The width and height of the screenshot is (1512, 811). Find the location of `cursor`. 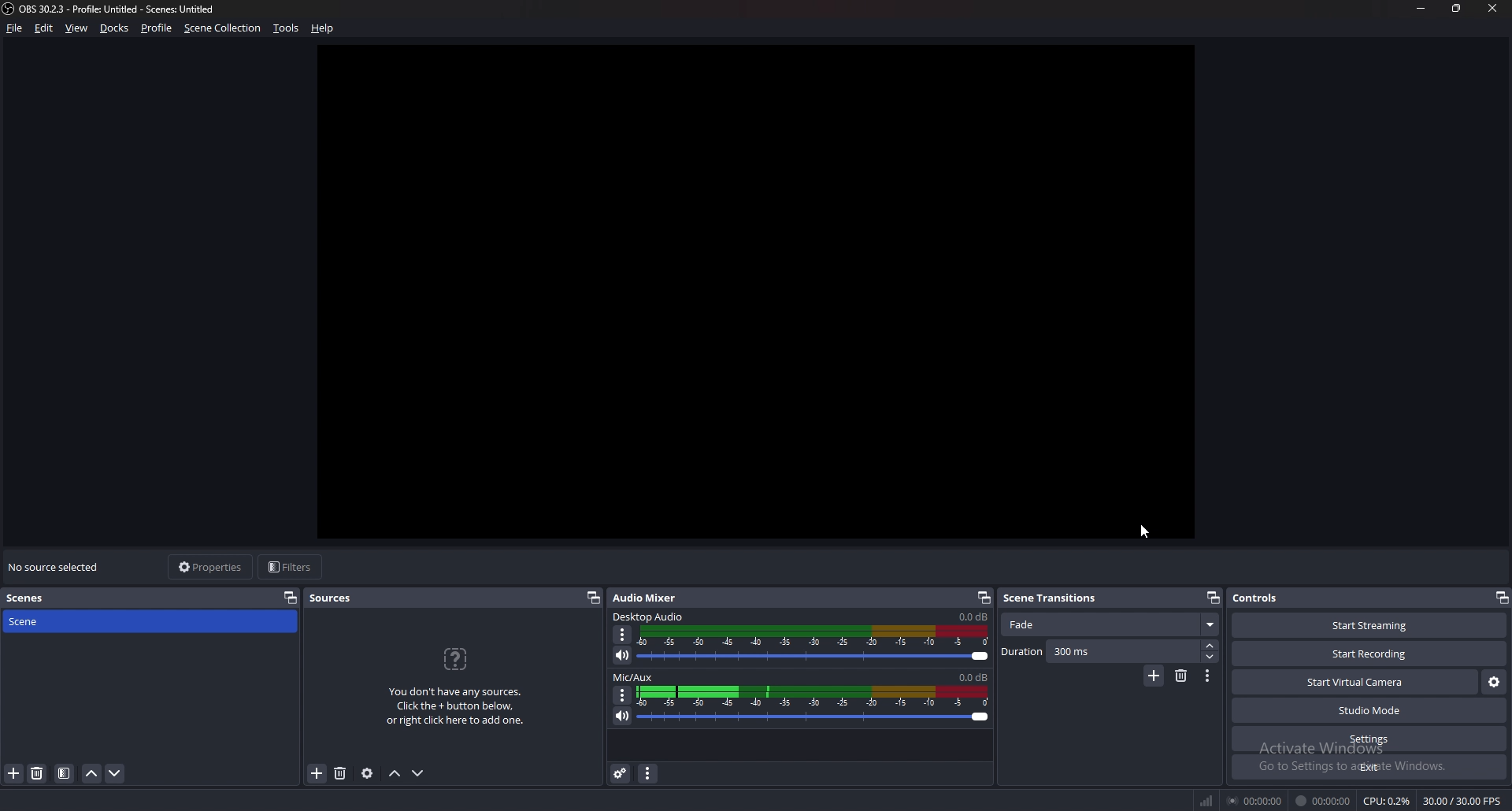

cursor is located at coordinates (1144, 532).